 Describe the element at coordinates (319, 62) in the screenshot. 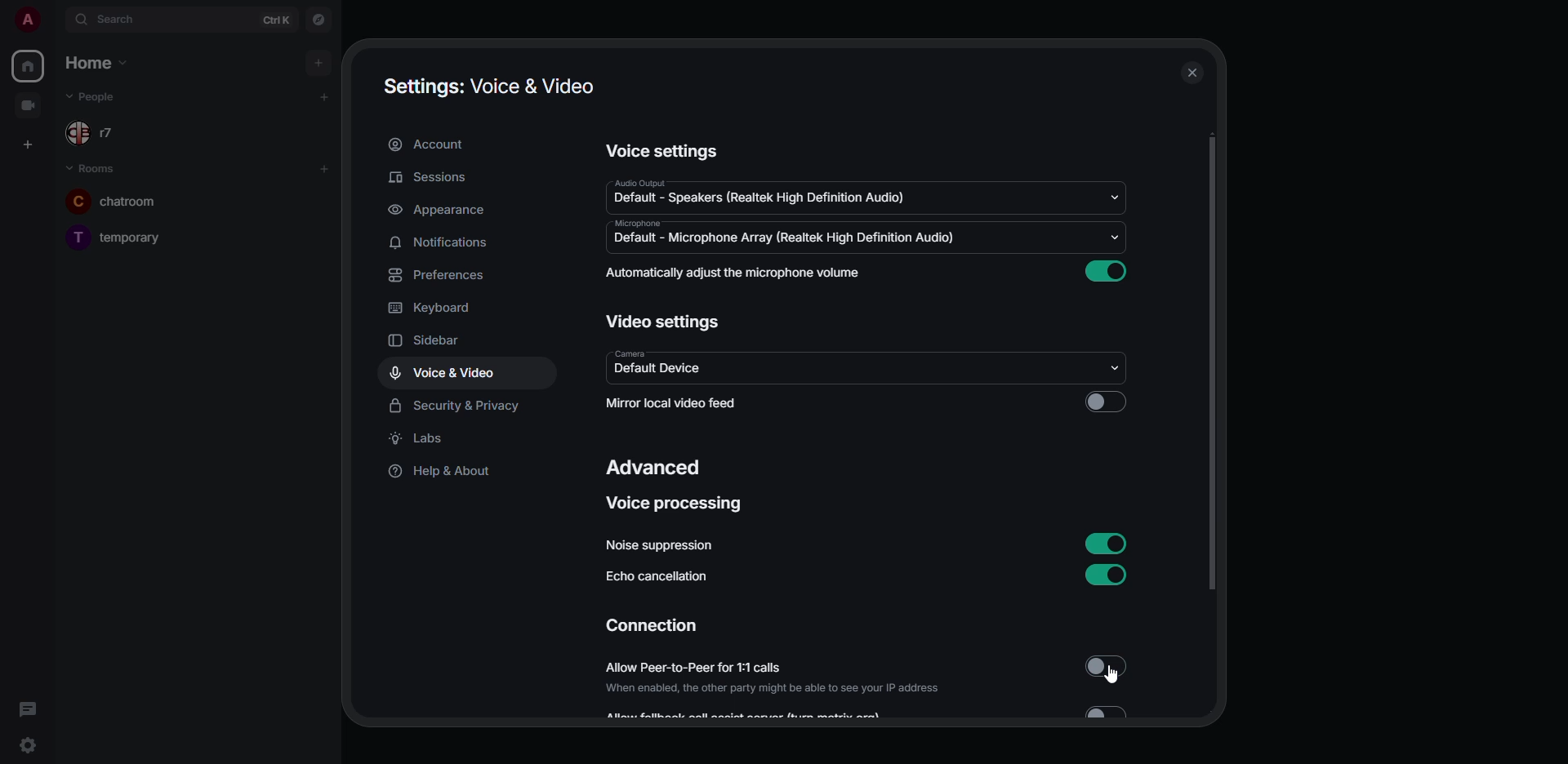

I see `add` at that location.